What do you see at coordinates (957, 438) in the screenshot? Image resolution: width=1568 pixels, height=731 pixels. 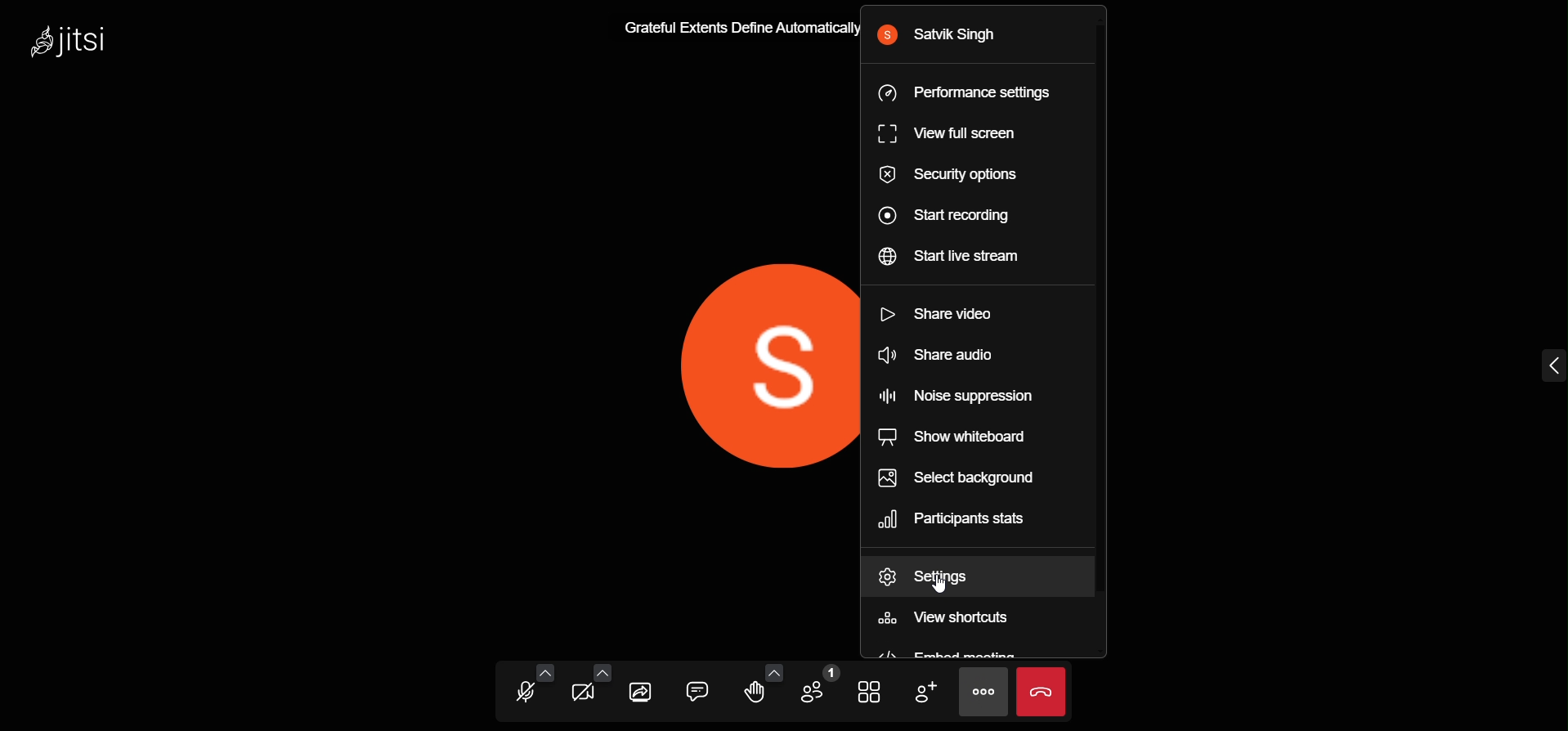 I see `share whiteboard` at bounding box center [957, 438].